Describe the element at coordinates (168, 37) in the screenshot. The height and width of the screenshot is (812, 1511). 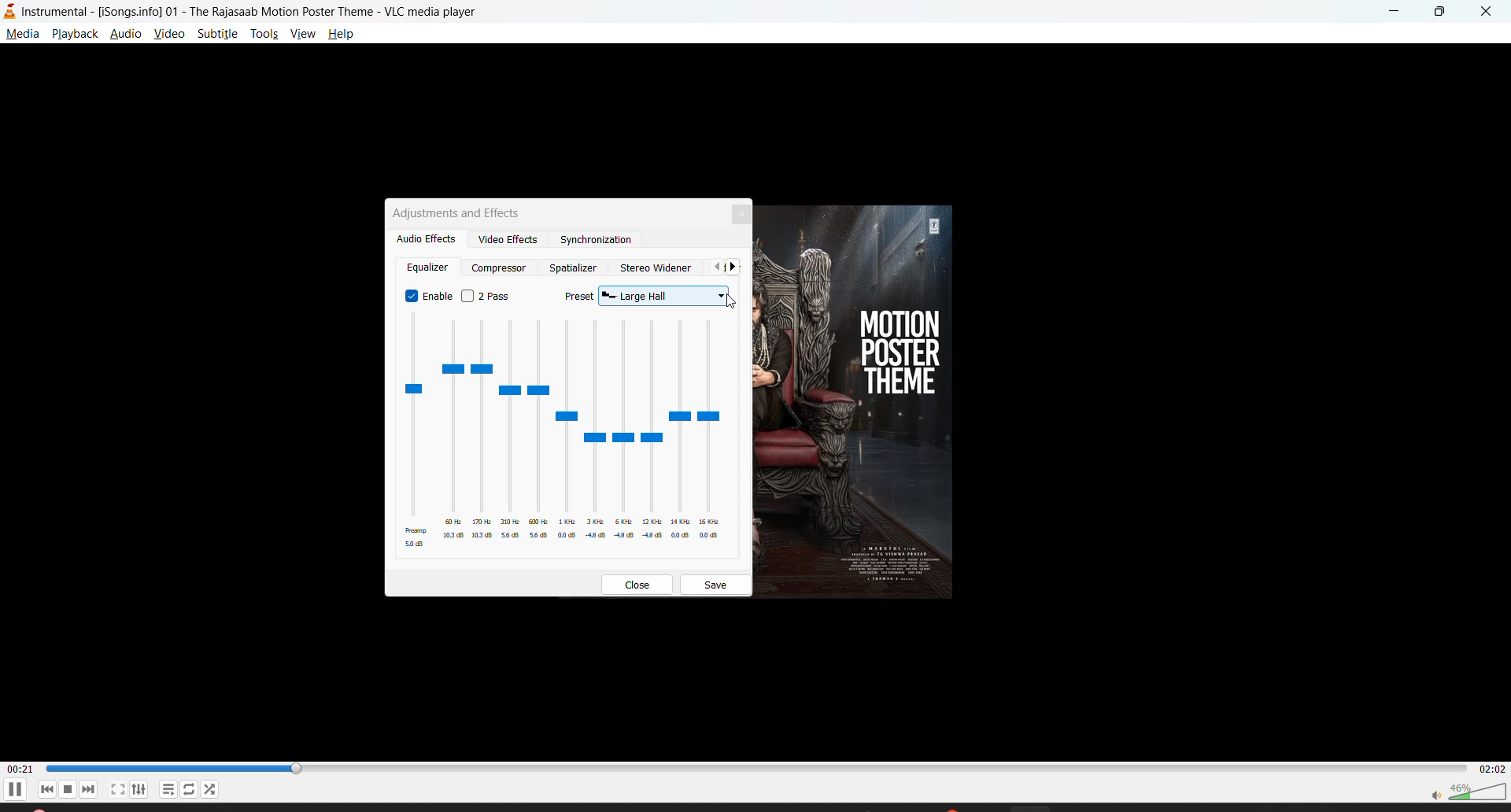
I see `view` at that location.